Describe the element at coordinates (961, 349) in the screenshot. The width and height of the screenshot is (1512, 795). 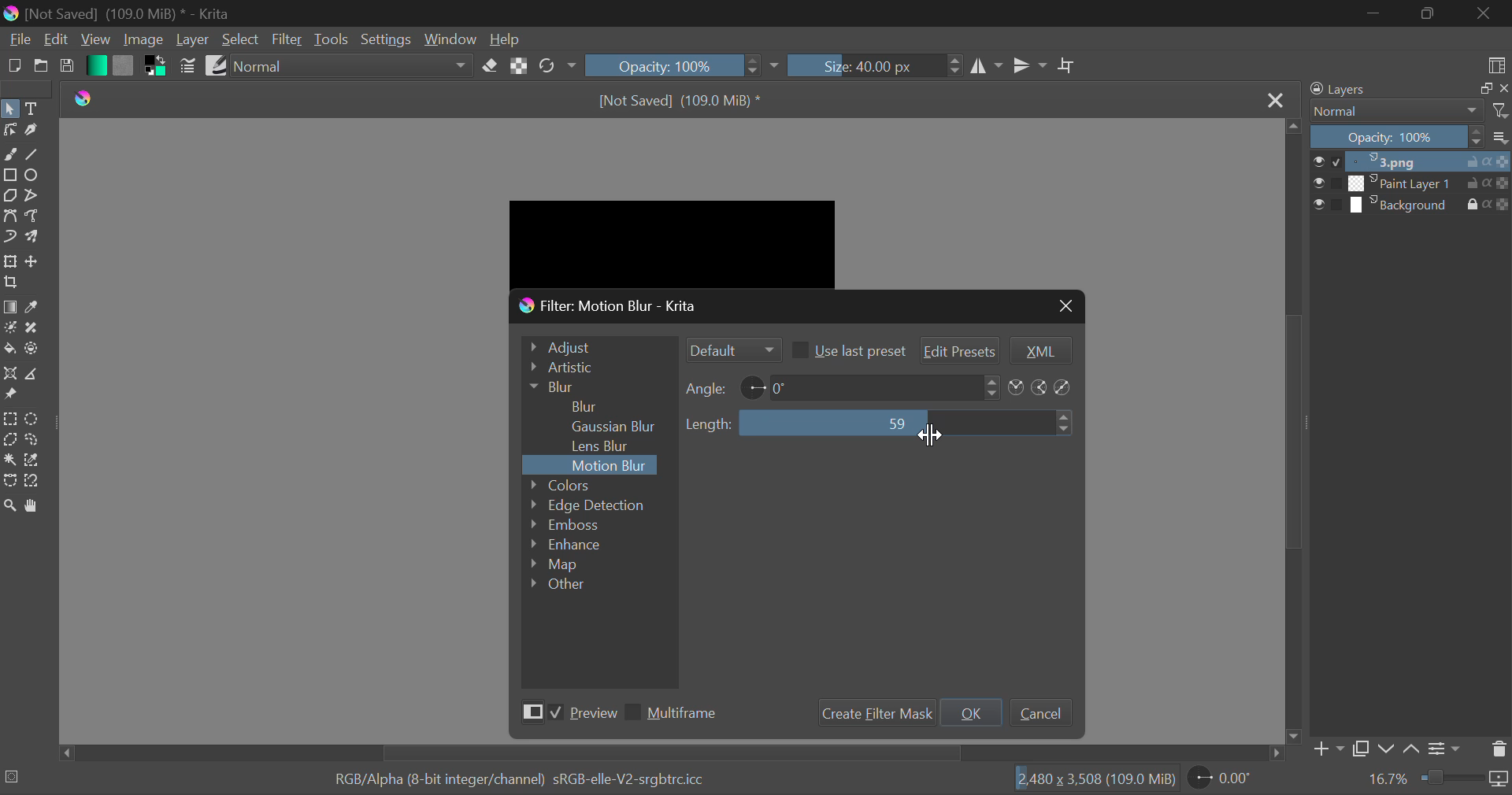
I see `Edit Presets` at that location.